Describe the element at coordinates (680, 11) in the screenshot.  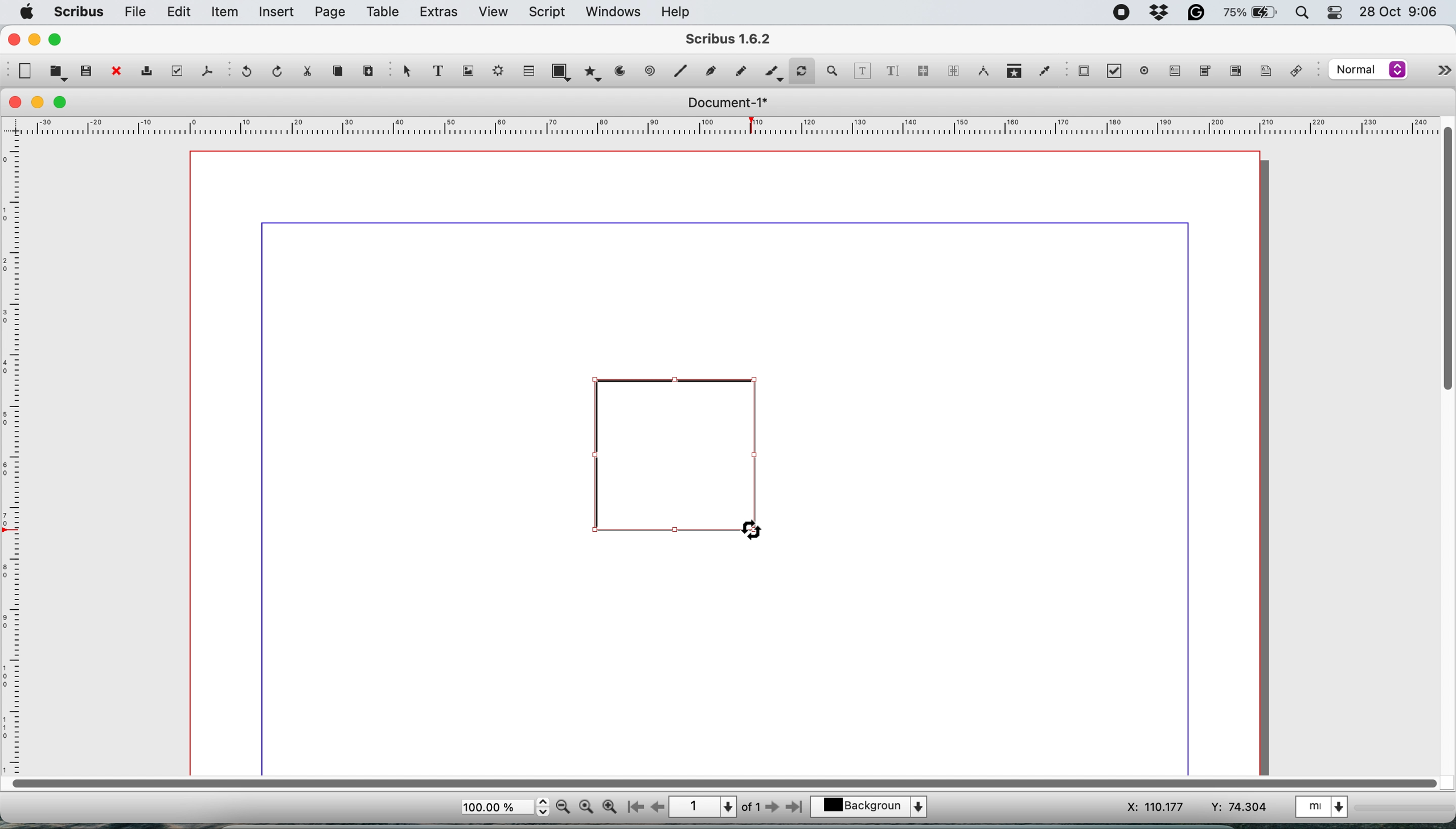
I see `help` at that location.